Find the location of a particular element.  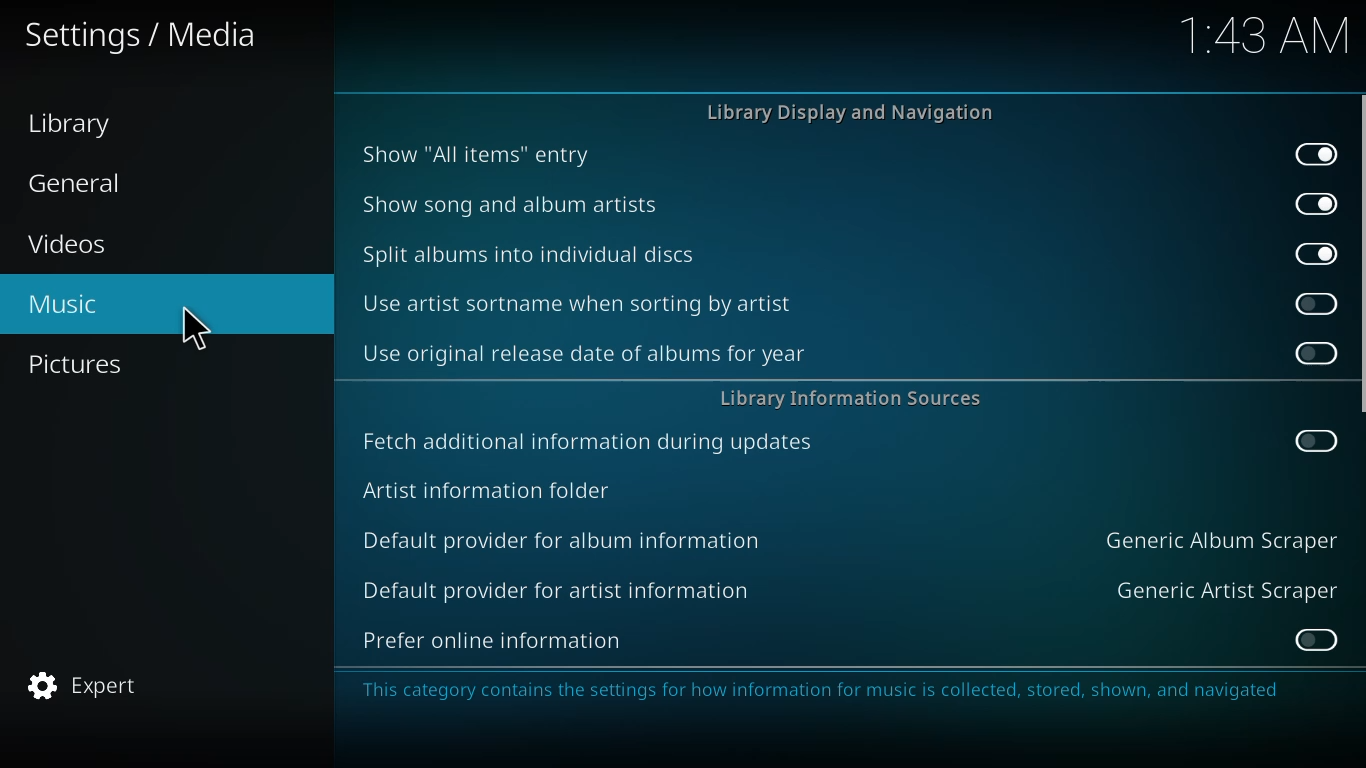

music is located at coordinates (61, 306).